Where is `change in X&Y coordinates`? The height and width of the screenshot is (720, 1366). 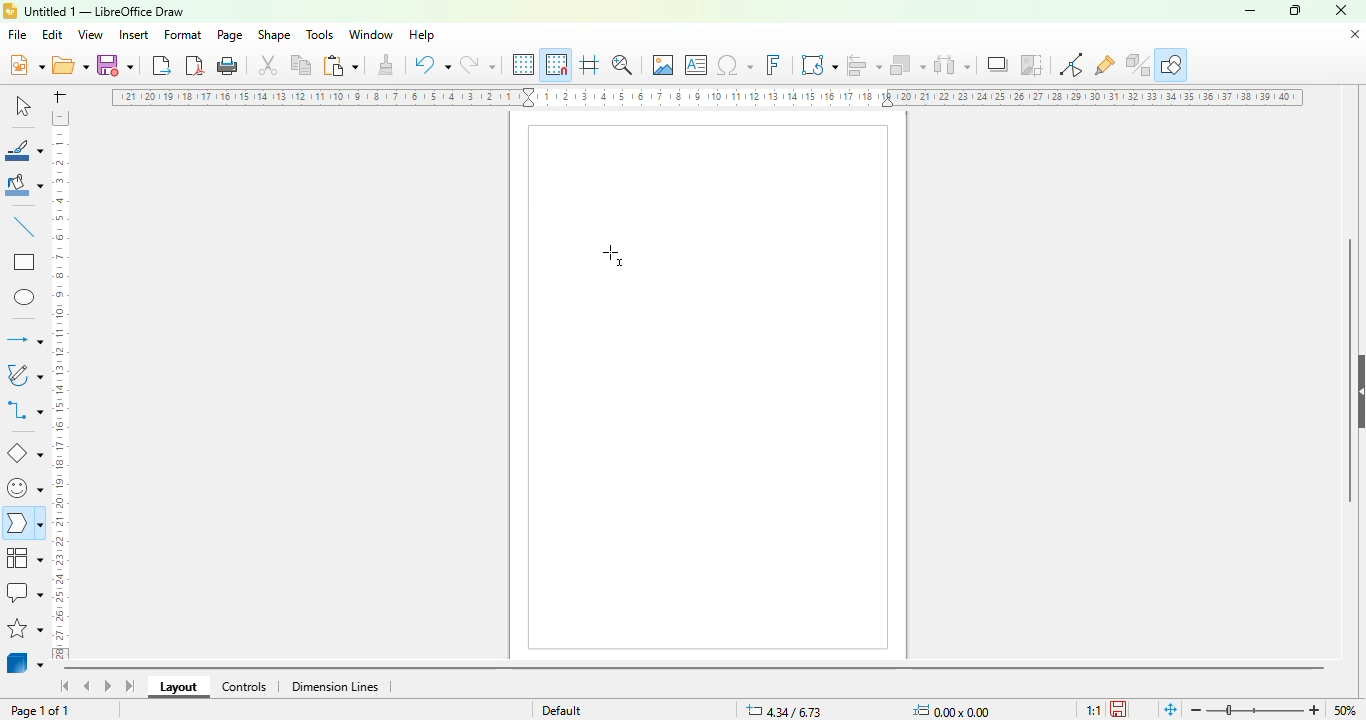
change in X&Y coordinates is located at coordinates (784, 710).